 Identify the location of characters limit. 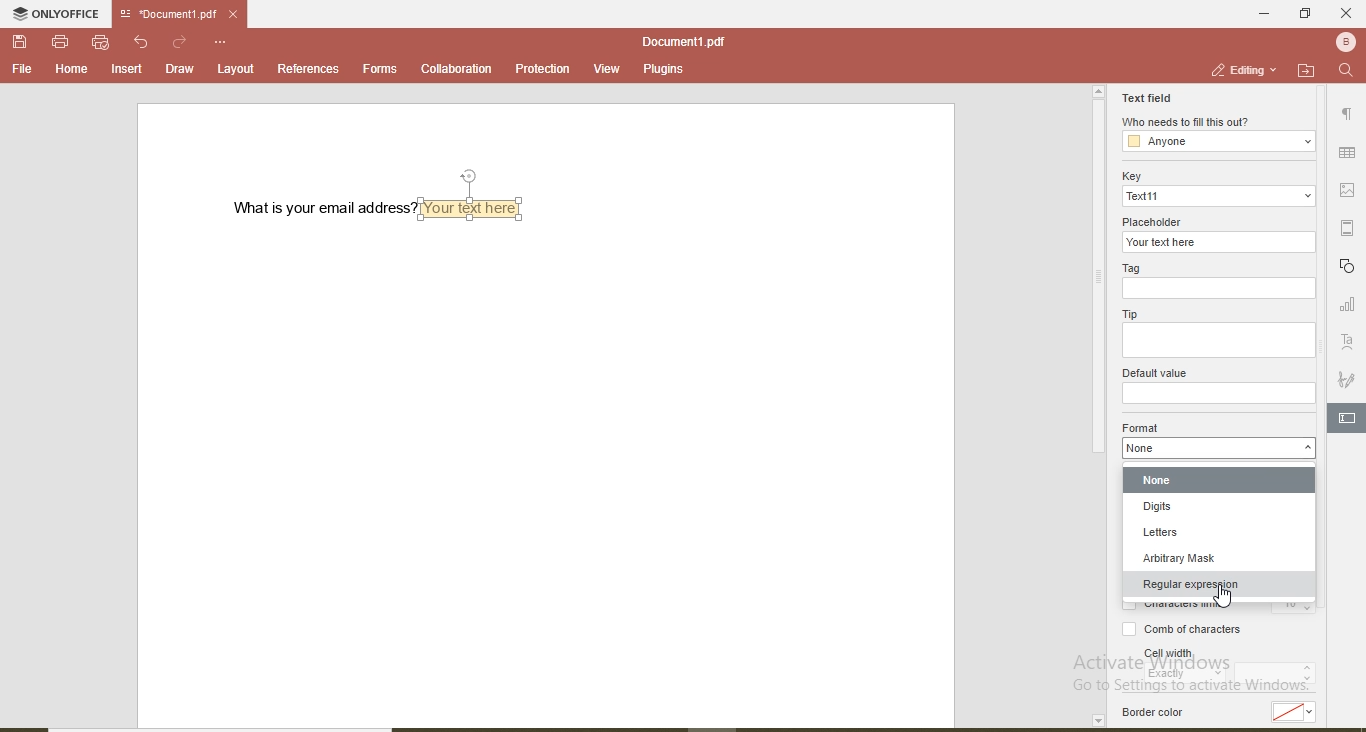
(1180, 608).